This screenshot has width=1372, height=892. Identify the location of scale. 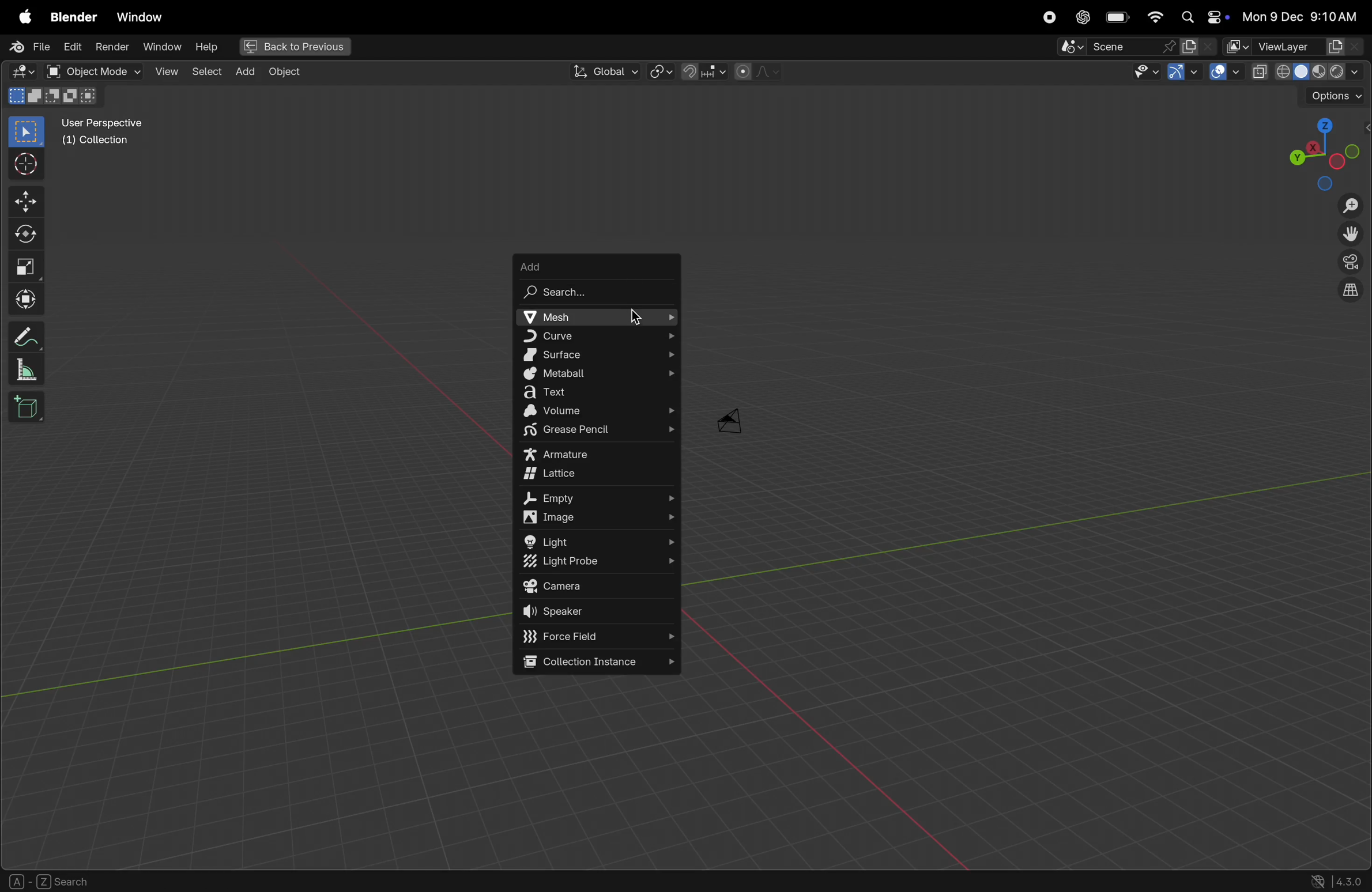
(28, 266).